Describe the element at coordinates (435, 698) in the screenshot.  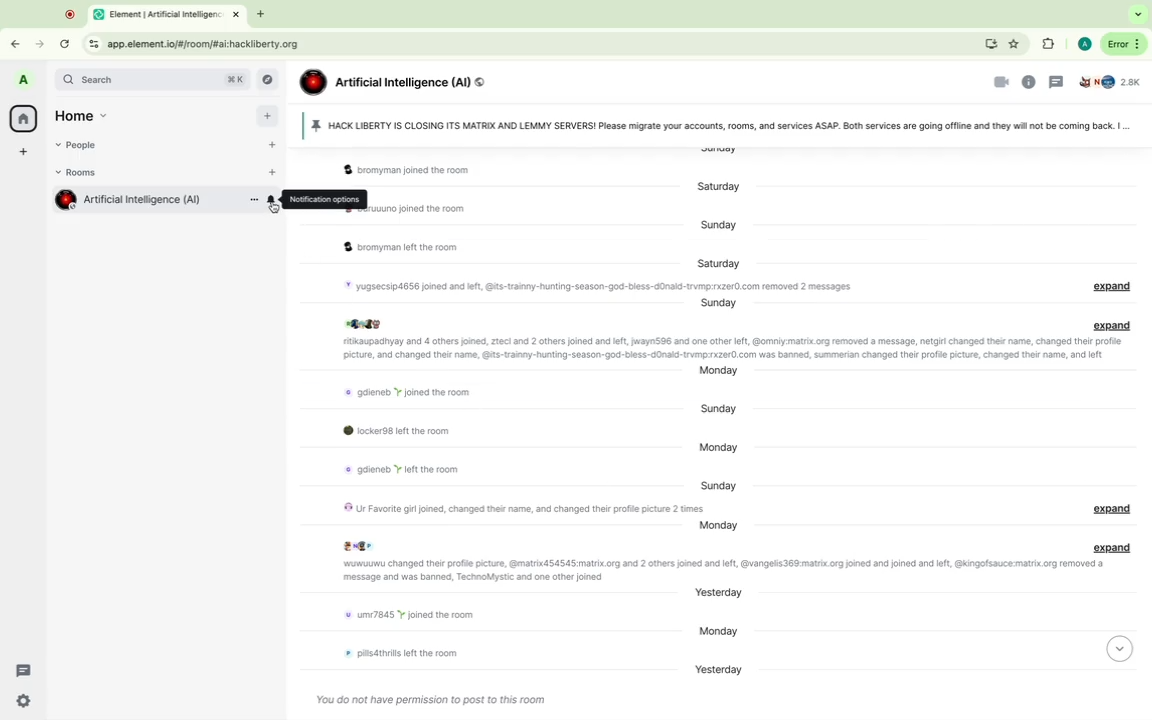
I see `Message` at that location.